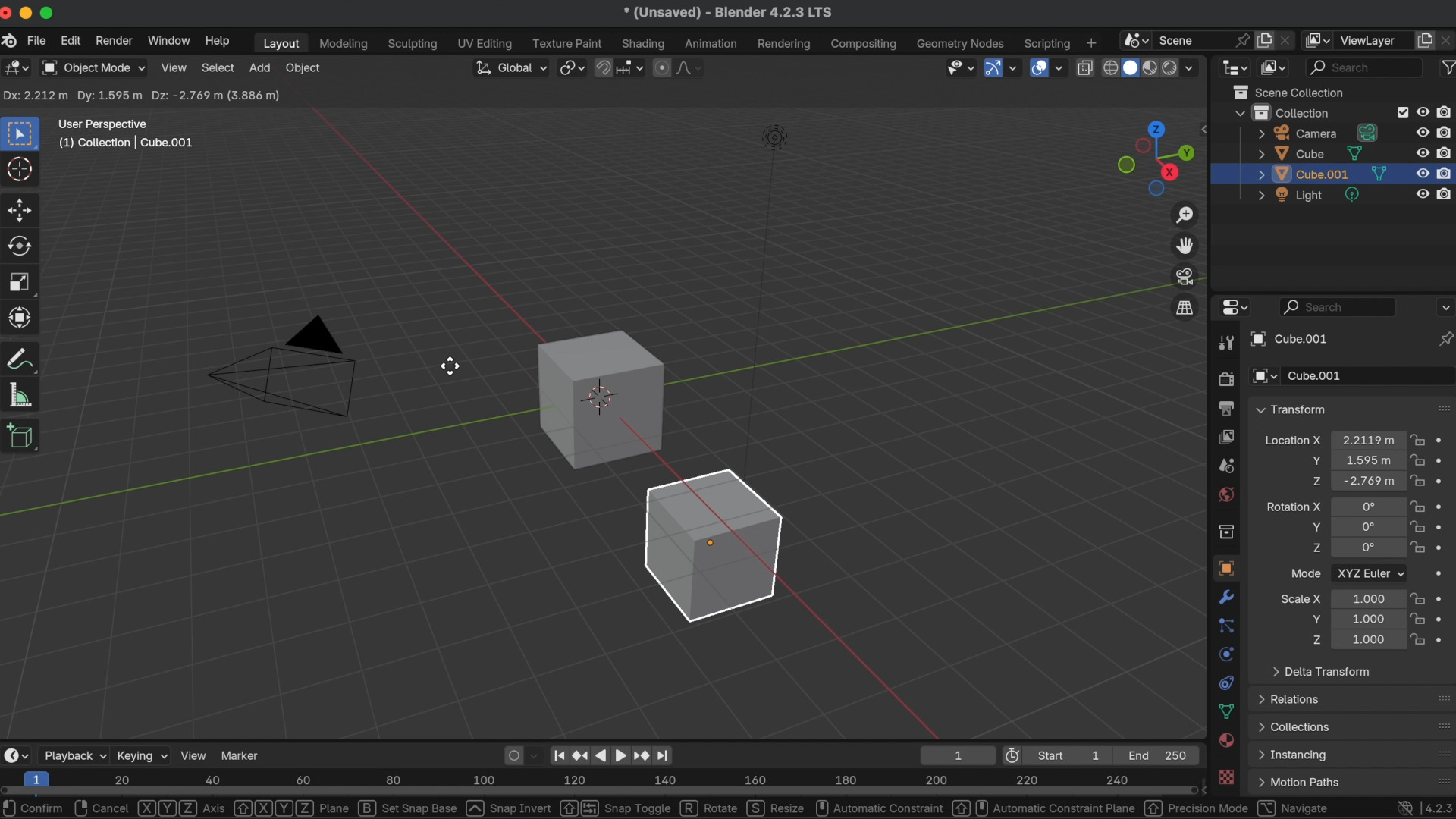 The height and width of the screenshot is (819, 1456). I want to click on relations, so click(1292, 698).